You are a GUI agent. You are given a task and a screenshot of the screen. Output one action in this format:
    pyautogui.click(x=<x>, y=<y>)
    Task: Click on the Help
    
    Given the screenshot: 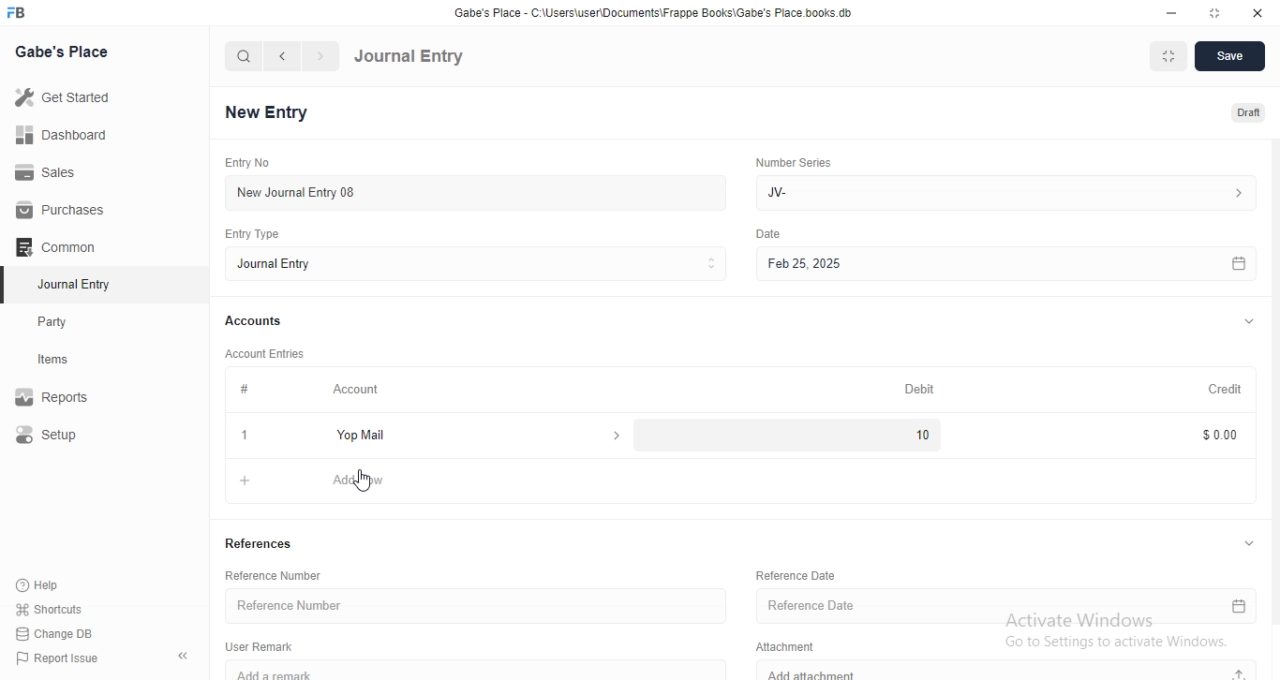 What is the action you would take?
    pyautogui.click(x=63, y=584)
    